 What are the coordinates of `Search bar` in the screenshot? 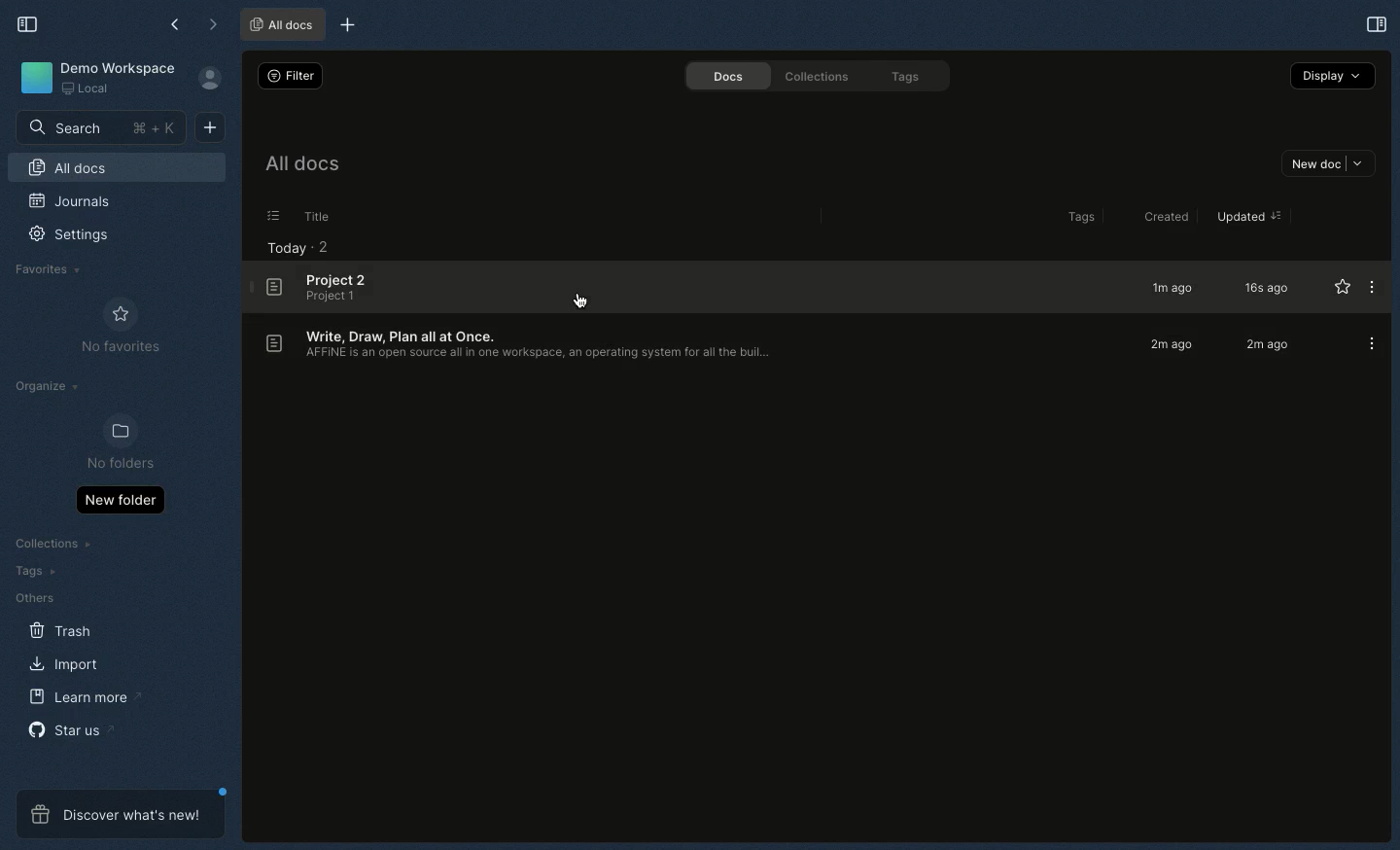 It's located at (97, 128).